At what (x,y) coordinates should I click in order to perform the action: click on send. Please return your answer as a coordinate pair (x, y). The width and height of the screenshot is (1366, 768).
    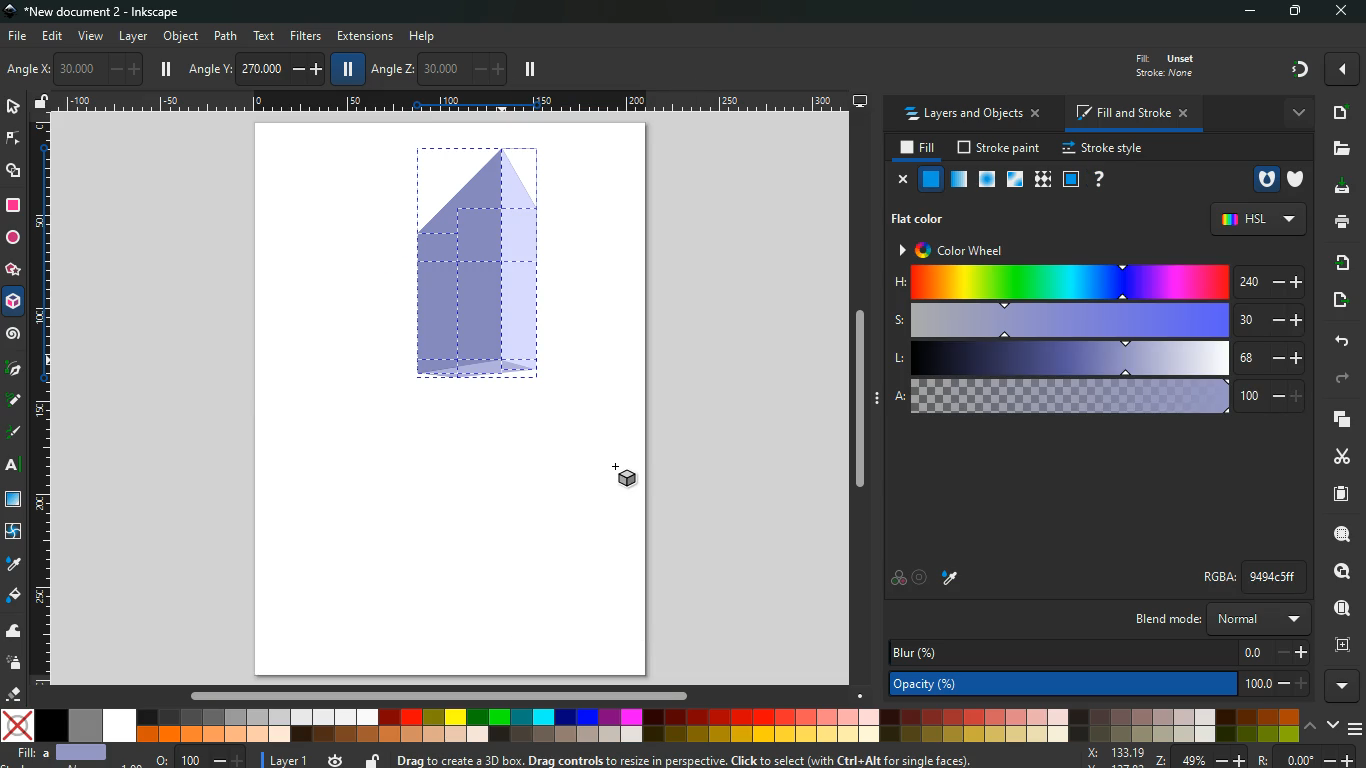
    Looking at the image, I should click on (1335, 301).